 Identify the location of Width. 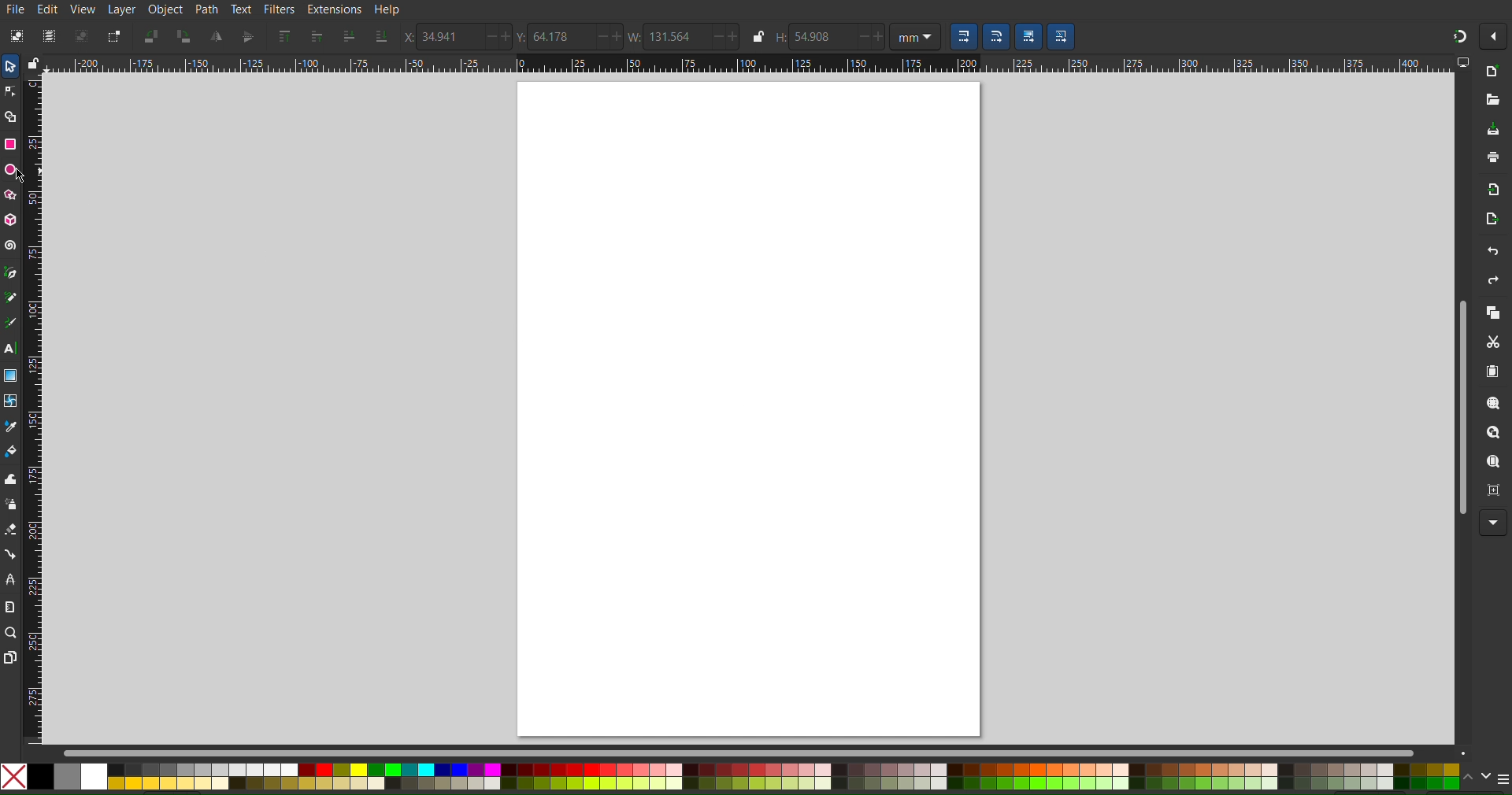
(634, 36).